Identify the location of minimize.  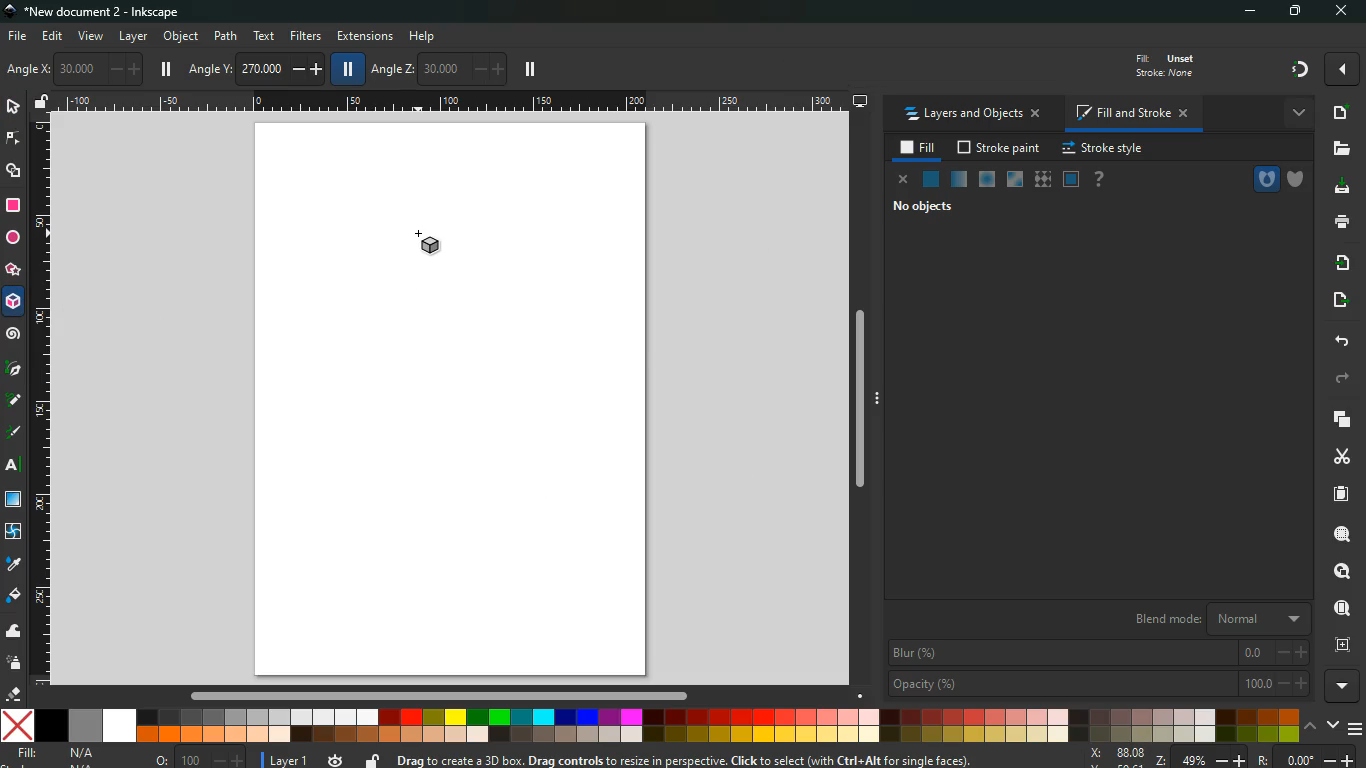
(1255, 12).